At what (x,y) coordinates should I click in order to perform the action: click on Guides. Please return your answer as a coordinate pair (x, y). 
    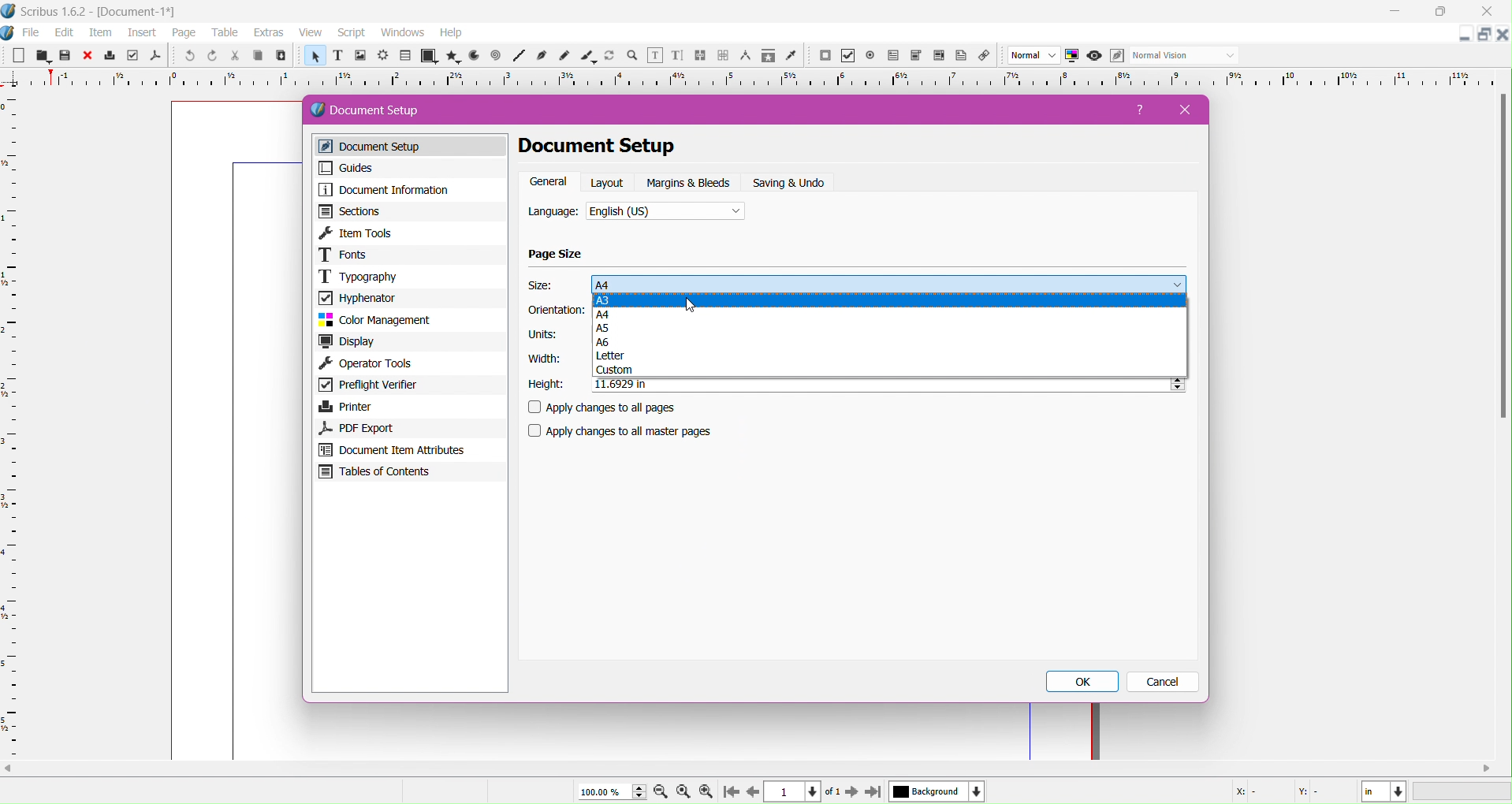
    Looking at the image, I should click on (407, 168).